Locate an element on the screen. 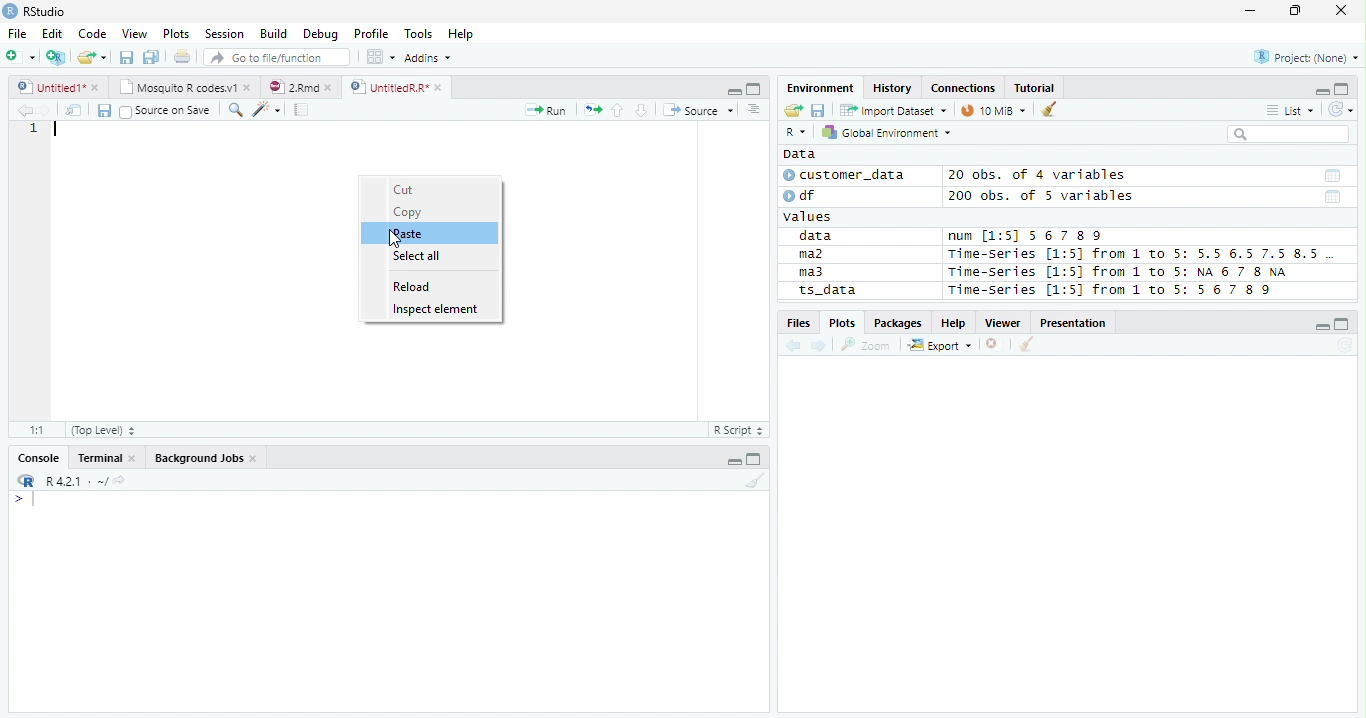  Tutorial is located at coordinates (1035, 87).